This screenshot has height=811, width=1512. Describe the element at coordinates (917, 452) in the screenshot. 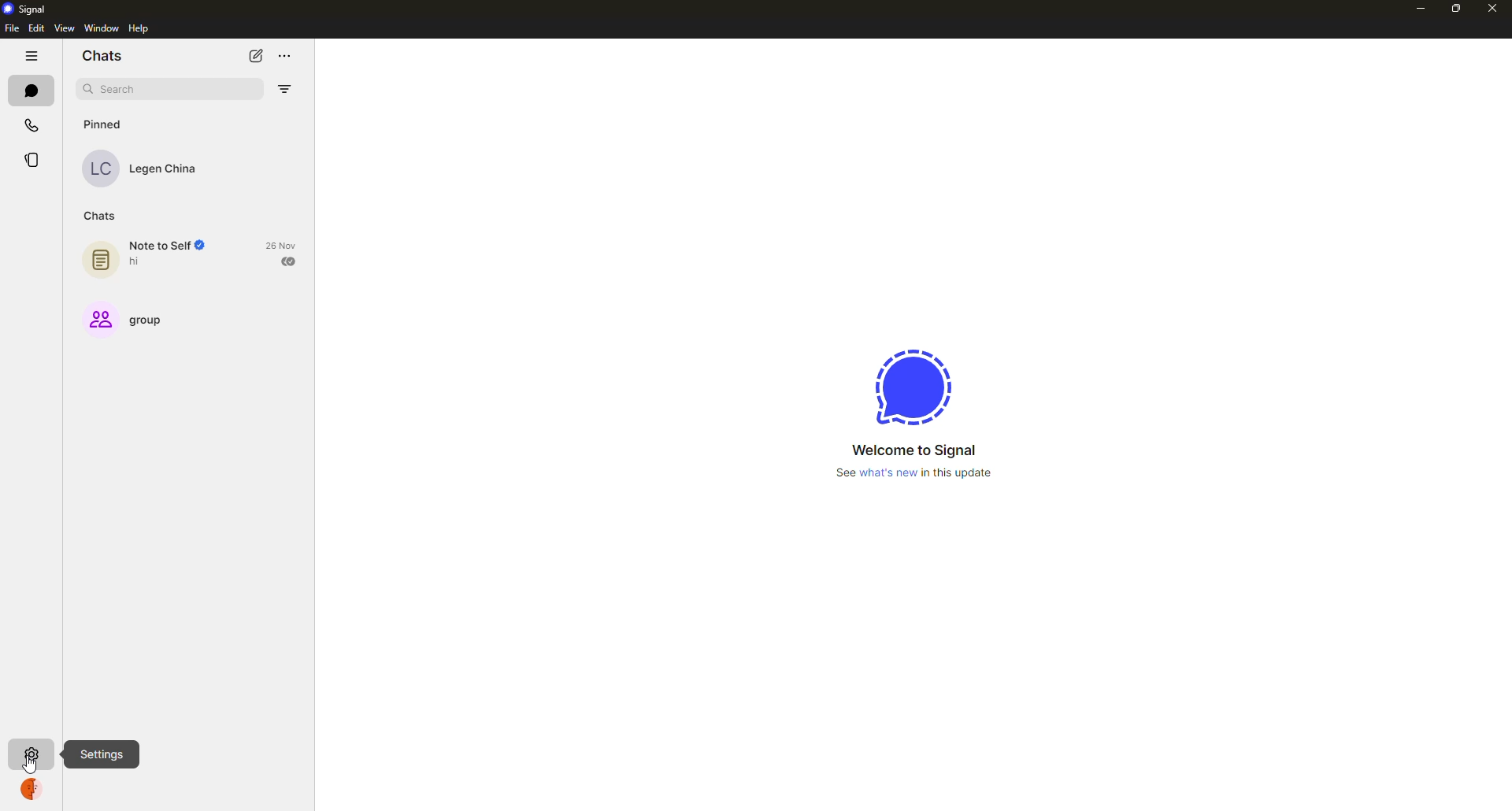

I see `welcome` at that location.